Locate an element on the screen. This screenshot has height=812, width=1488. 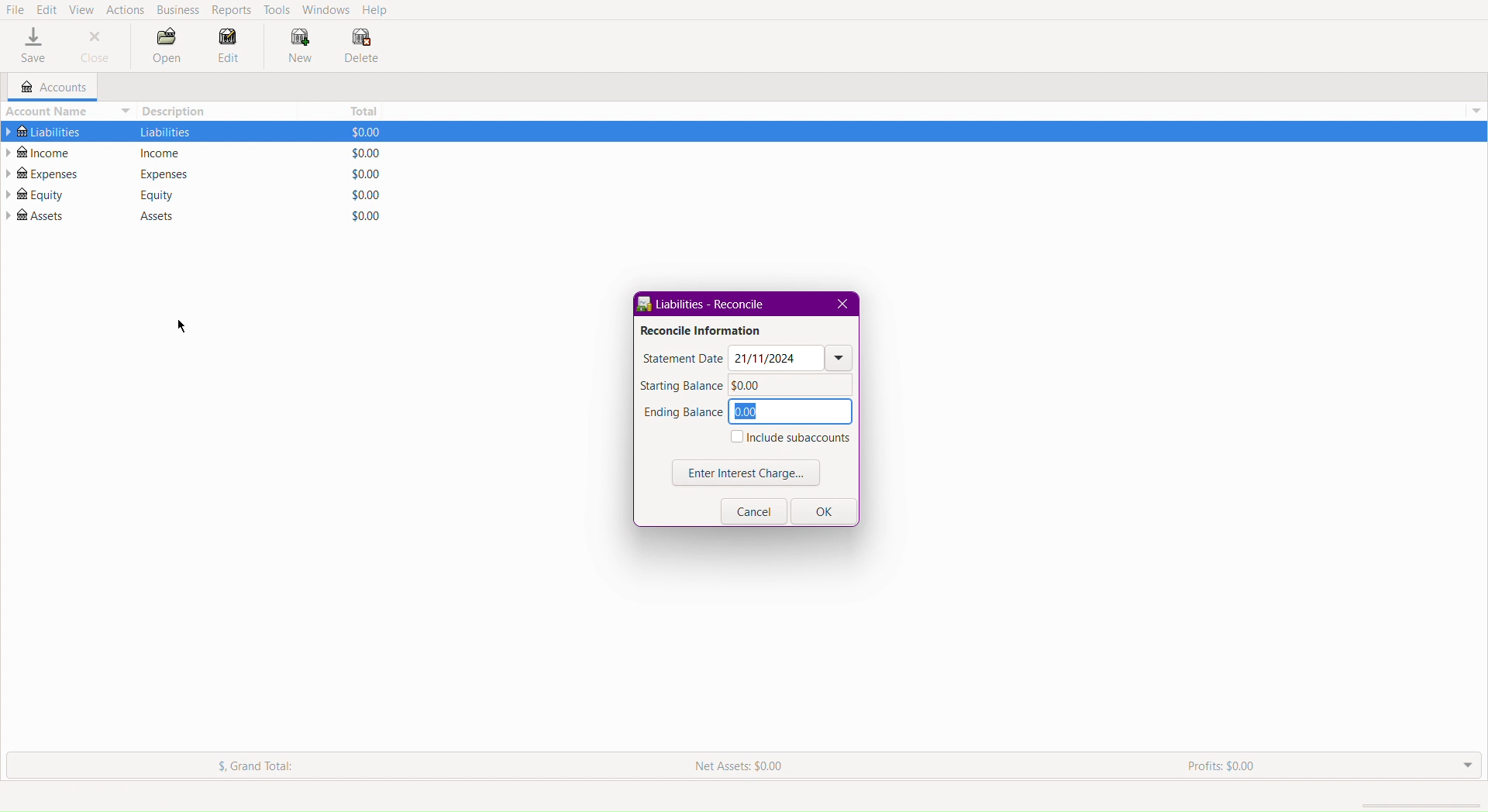
Close is located at coordinates (92, 47).